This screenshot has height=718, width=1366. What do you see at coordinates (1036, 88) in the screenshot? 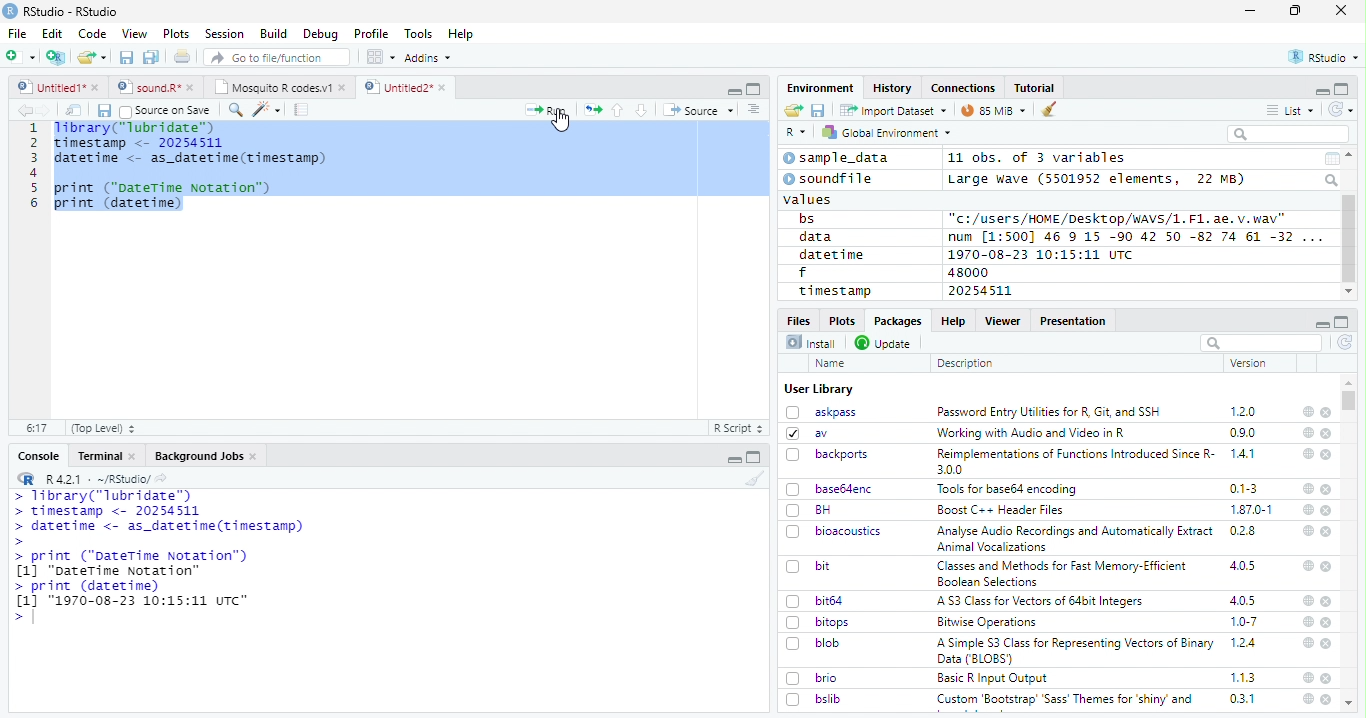
I see `Tutorial` at bounding box center [1036, 88].